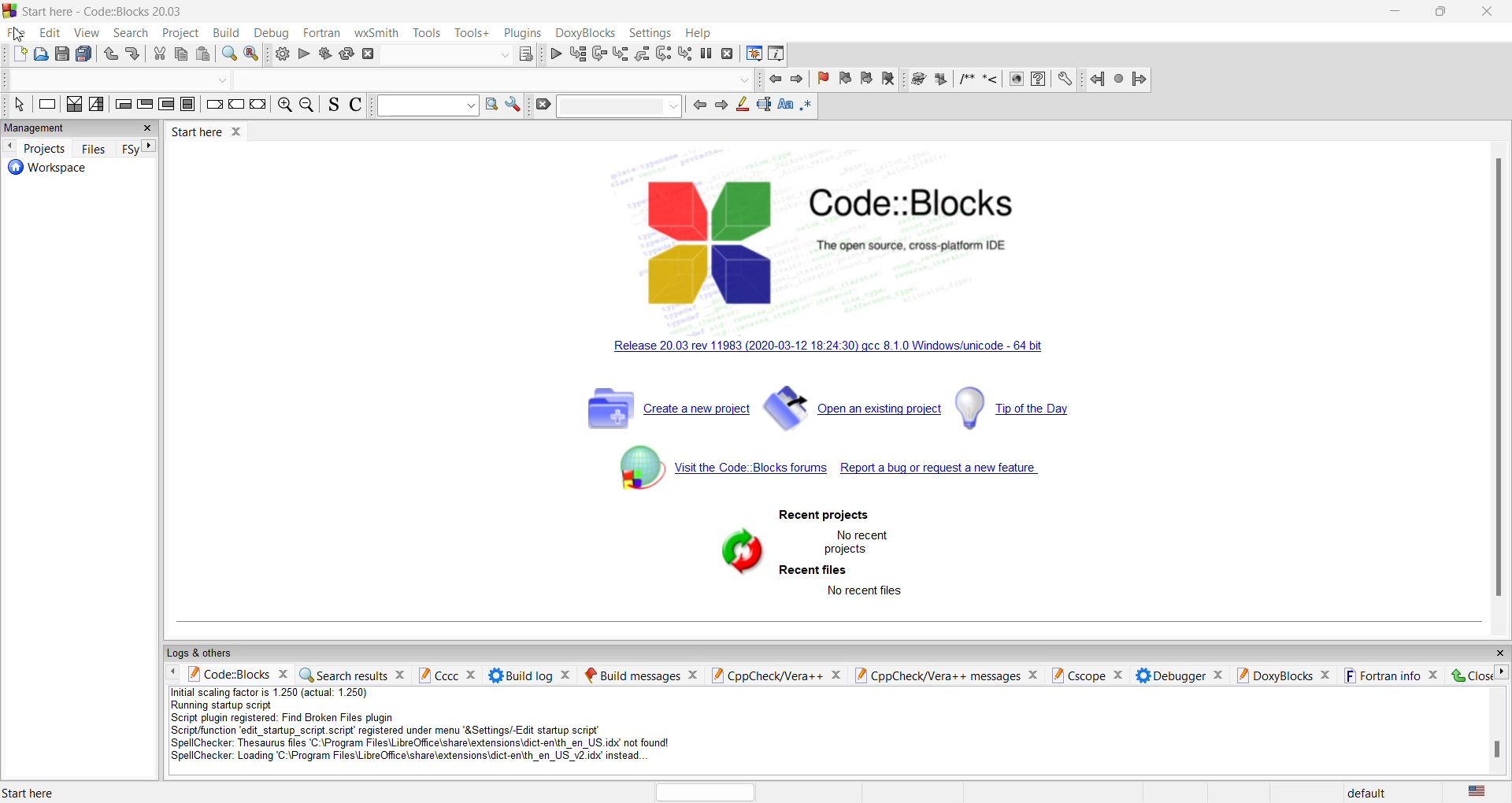 The width and height of the screenshot is (1512, 803). Describe the element at coordinates (1467, 675) in the screenshot. I see `close` at that location.